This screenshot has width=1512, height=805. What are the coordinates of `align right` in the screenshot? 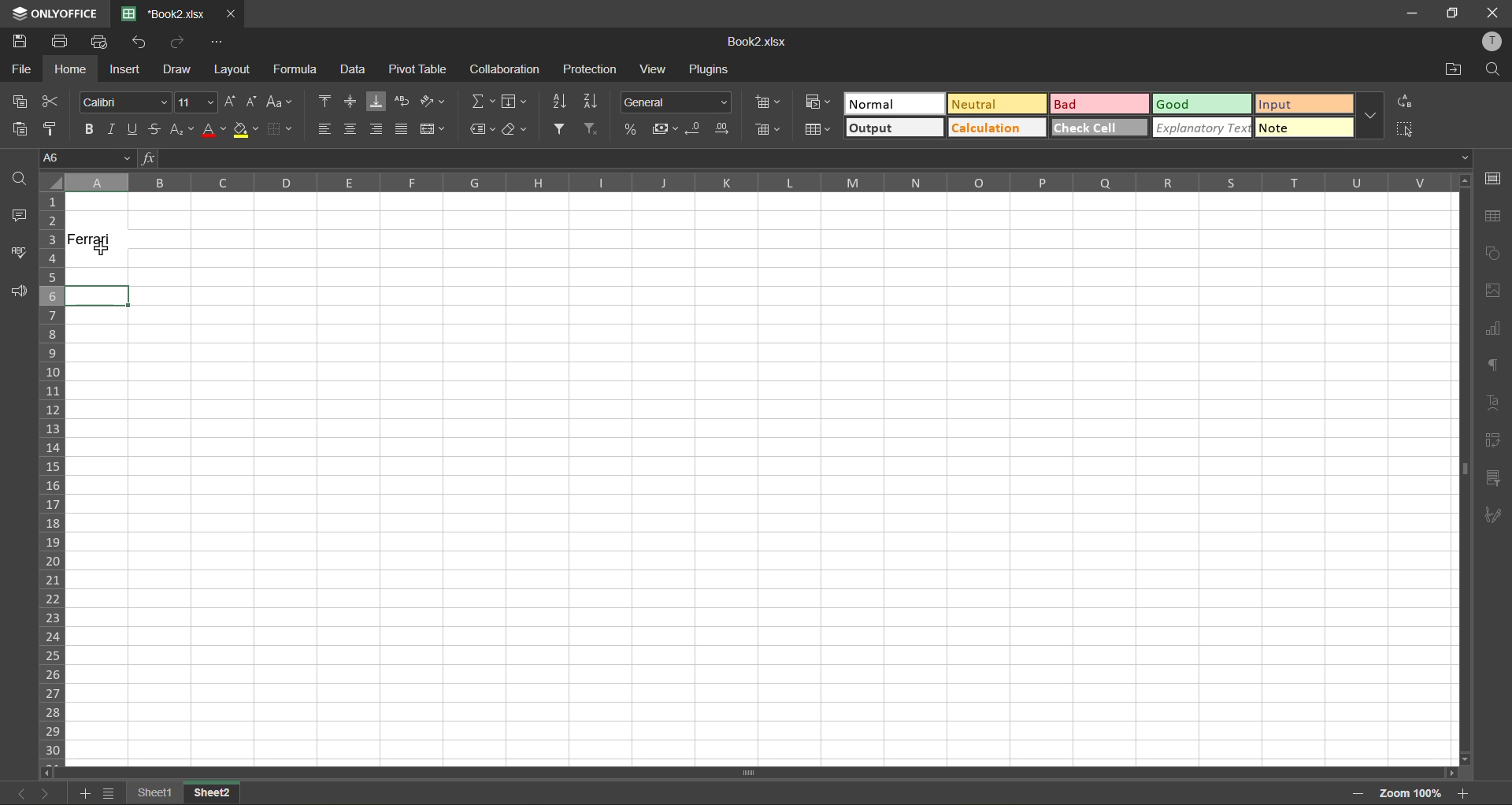 It's located at (377, 130).